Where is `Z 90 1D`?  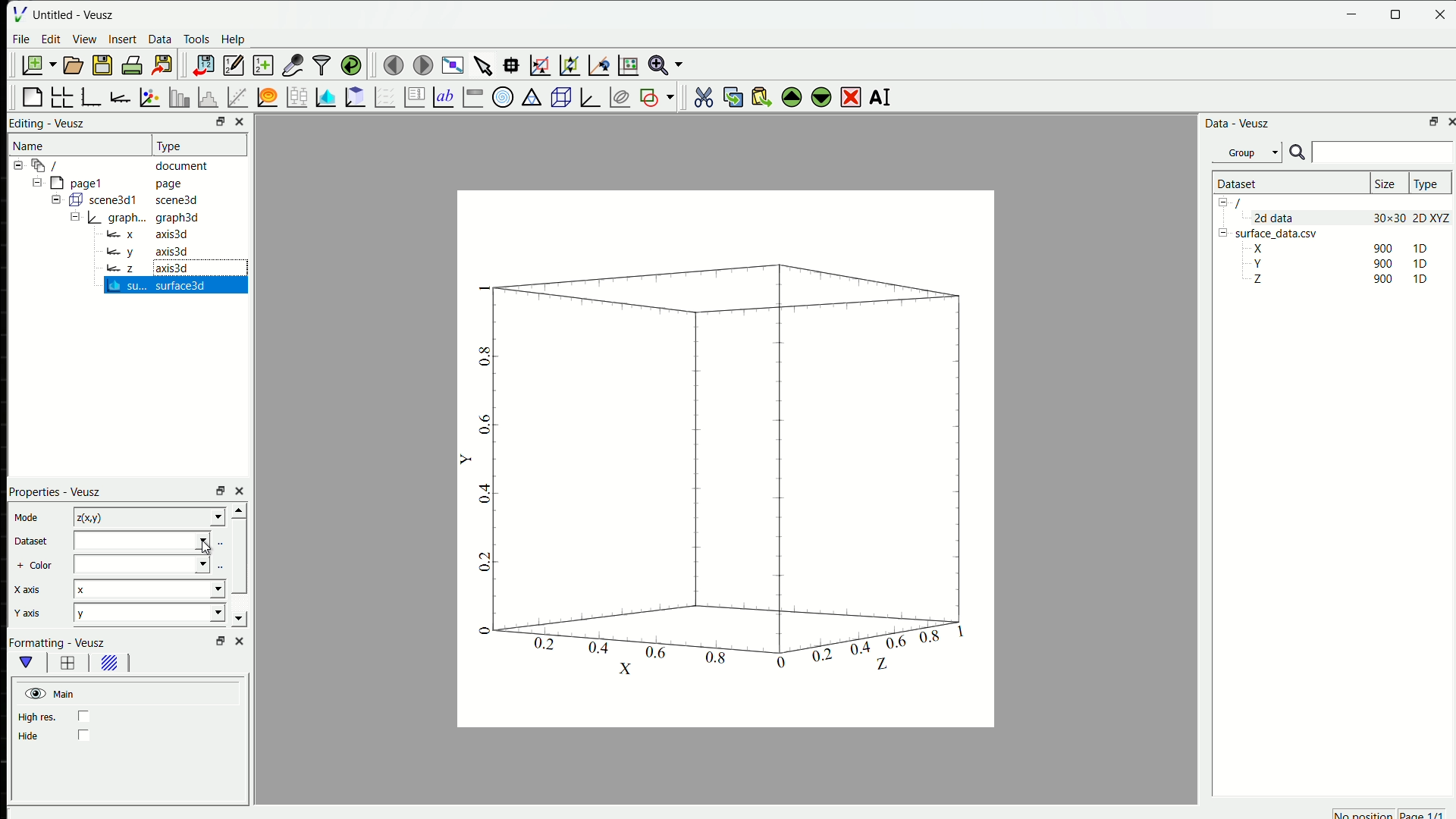
Z 90 1D is located at coordinates (1335, 279).